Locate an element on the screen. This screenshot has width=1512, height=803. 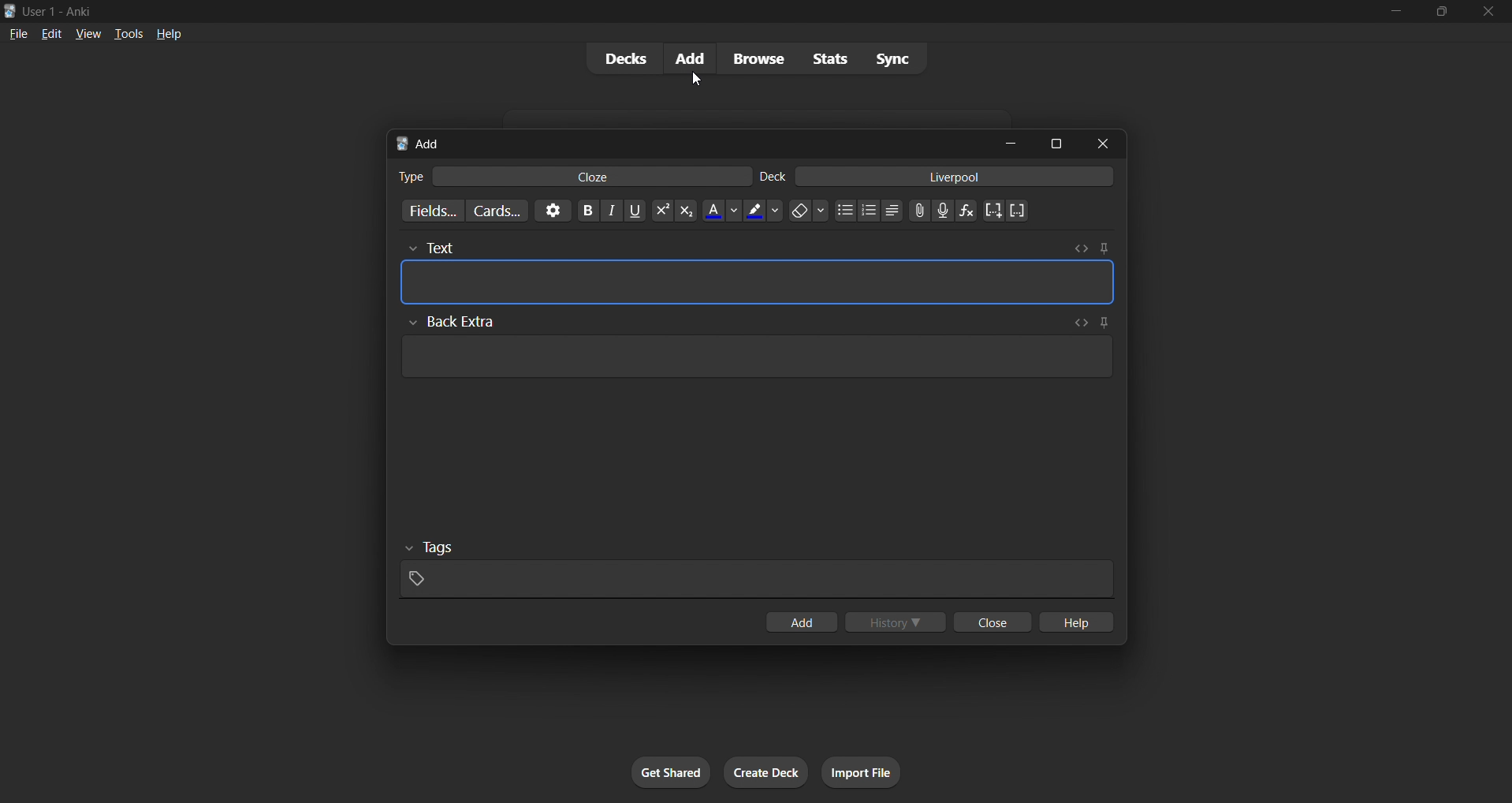
italic is located at coordinates (611, 212).